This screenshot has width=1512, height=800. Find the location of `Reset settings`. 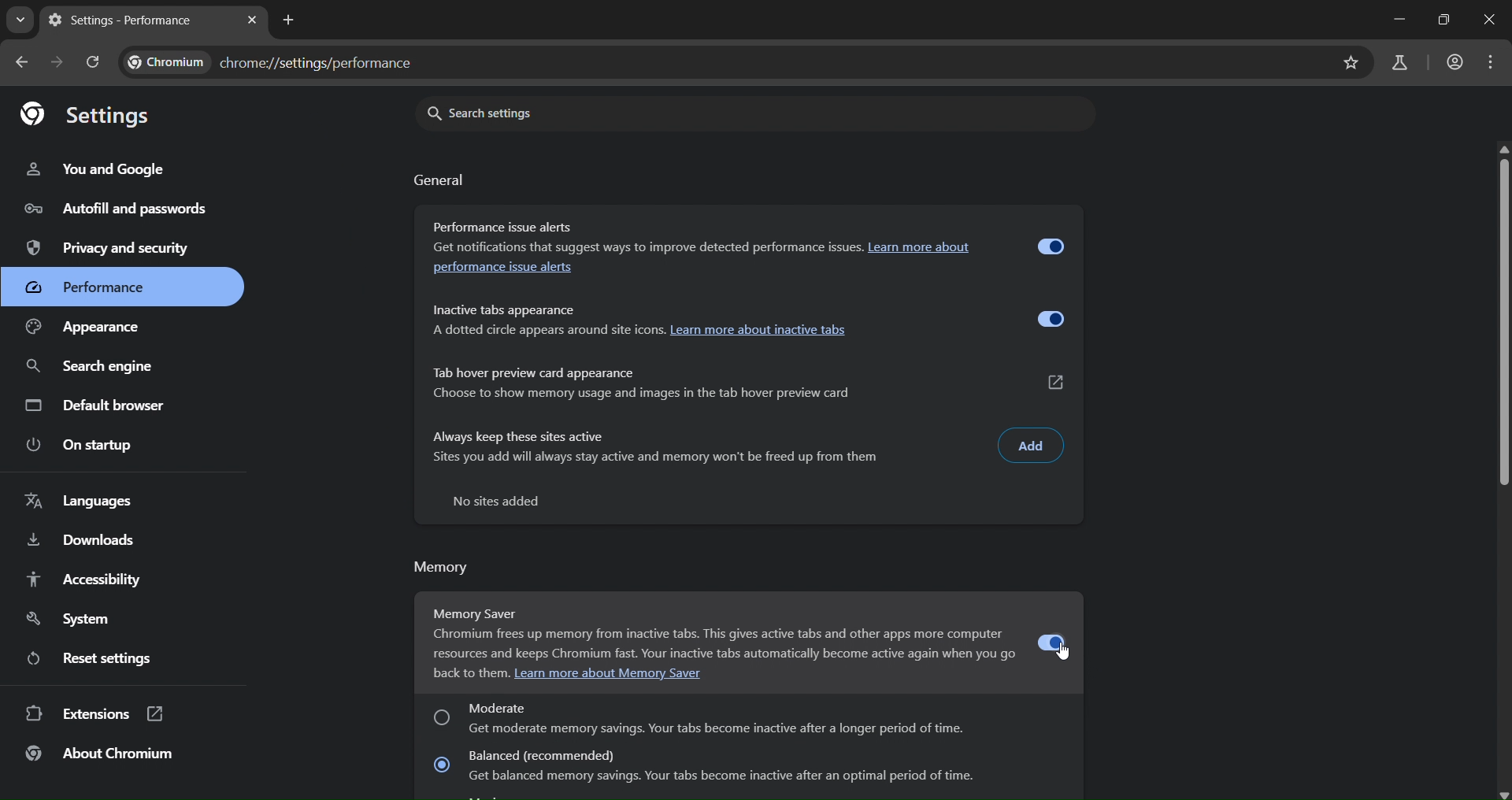

Reset settings is located at coordinates (94, 657).